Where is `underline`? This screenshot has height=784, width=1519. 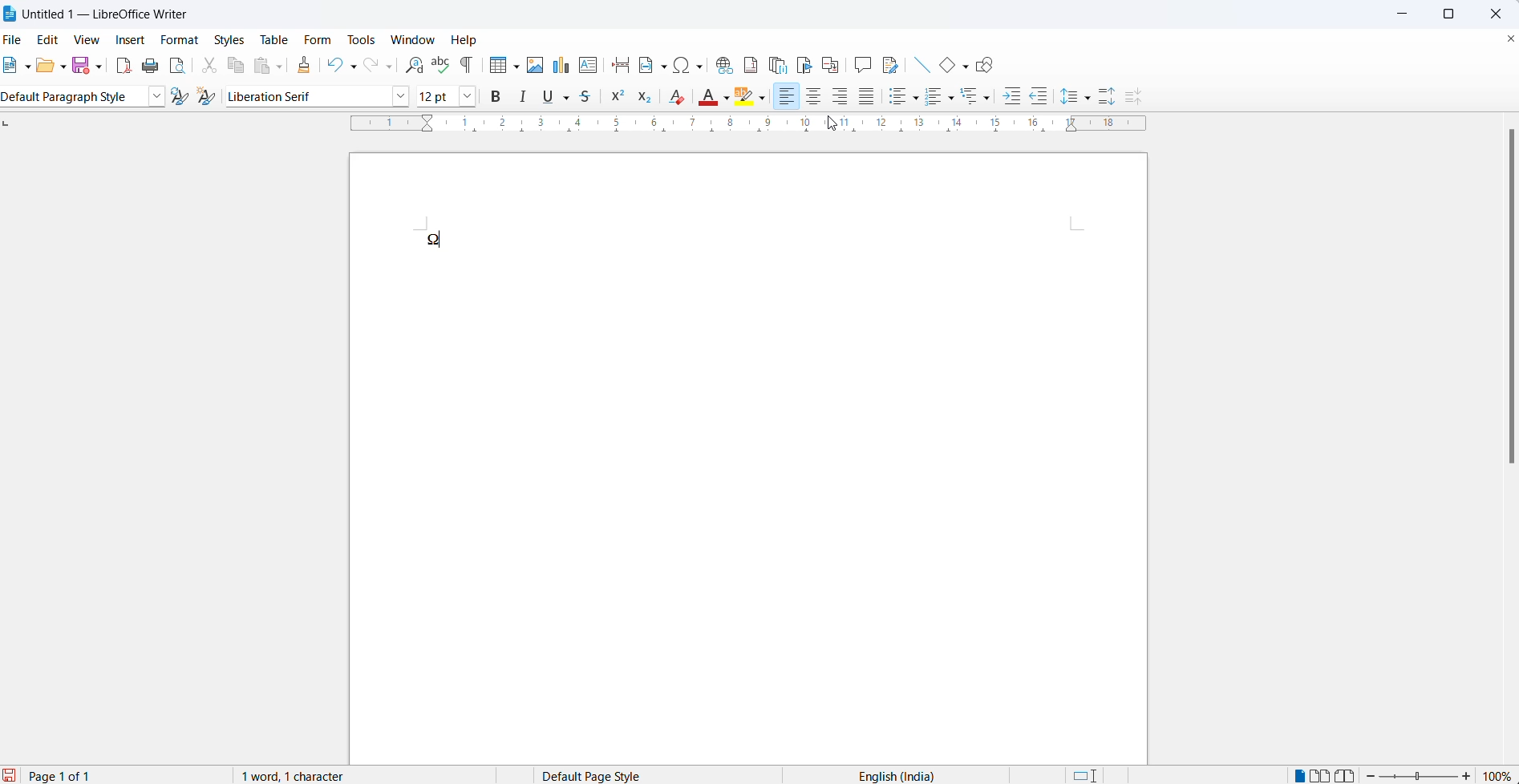 underline is located at coordinates (547, 96).